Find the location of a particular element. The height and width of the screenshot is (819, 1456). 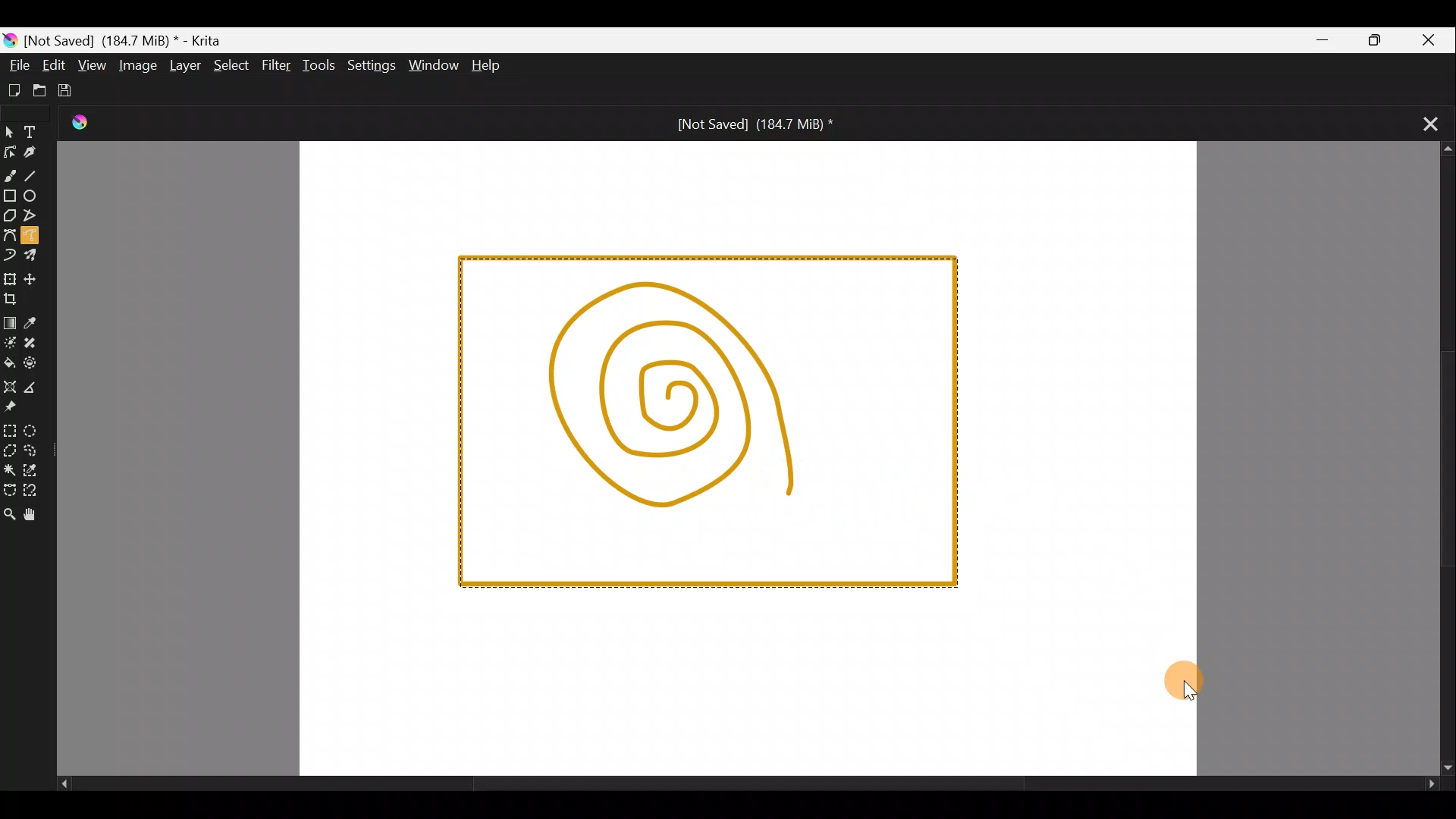

Sample a colour is located at coordinates (33, 323).